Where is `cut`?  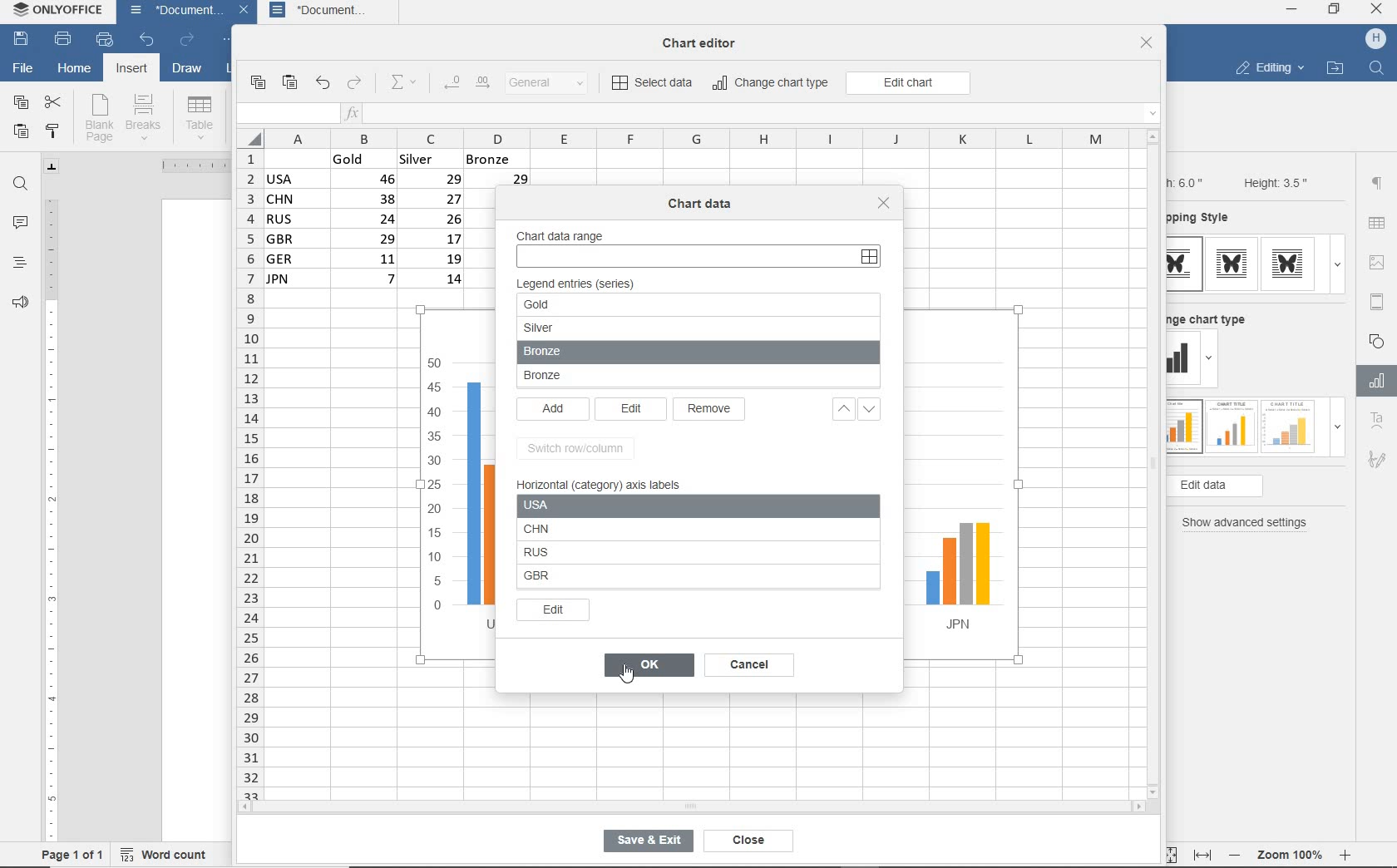
cut is located at coordinates (54, 101).